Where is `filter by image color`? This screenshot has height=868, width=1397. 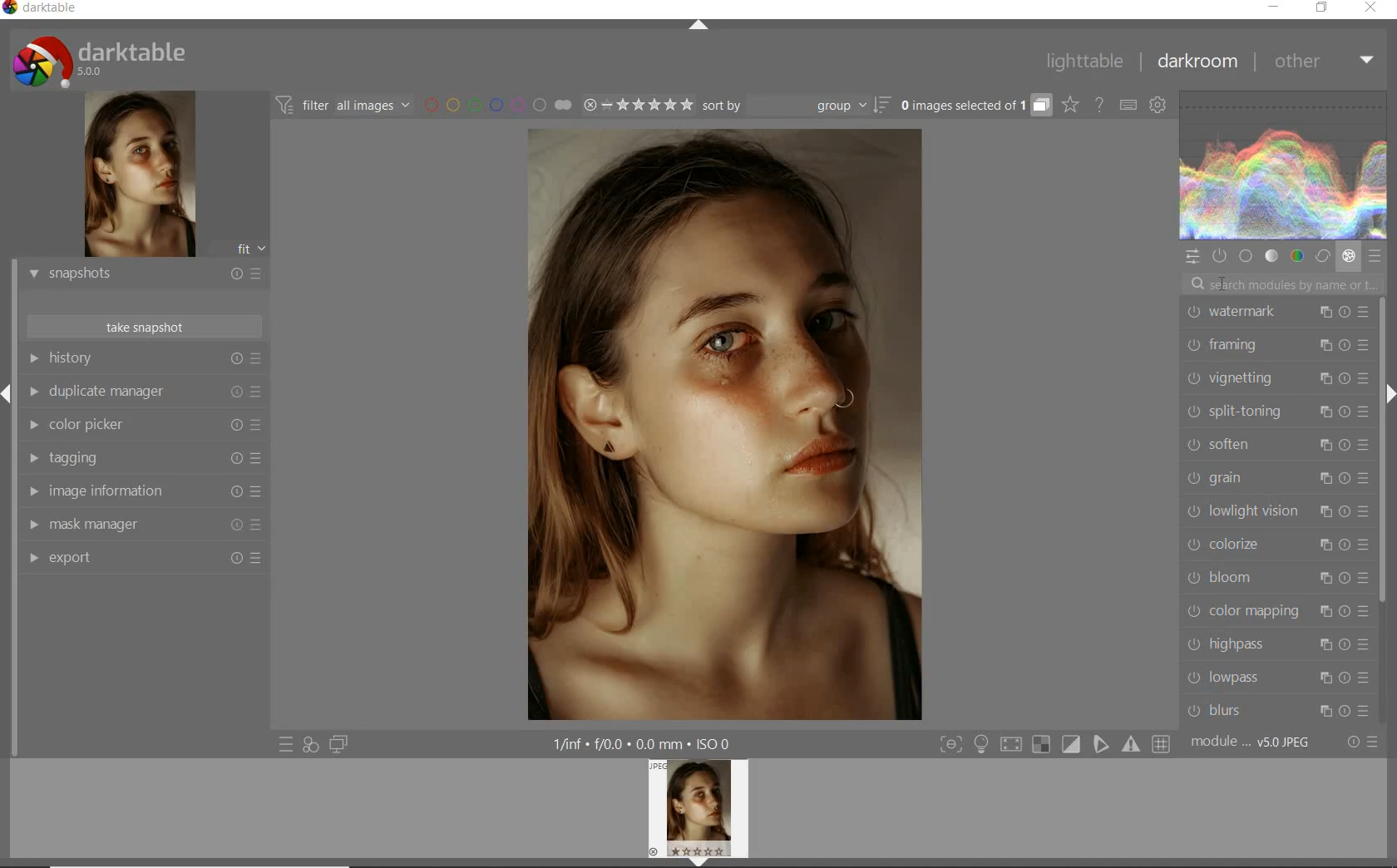 filter by image color is located at coordinates (498, 106).